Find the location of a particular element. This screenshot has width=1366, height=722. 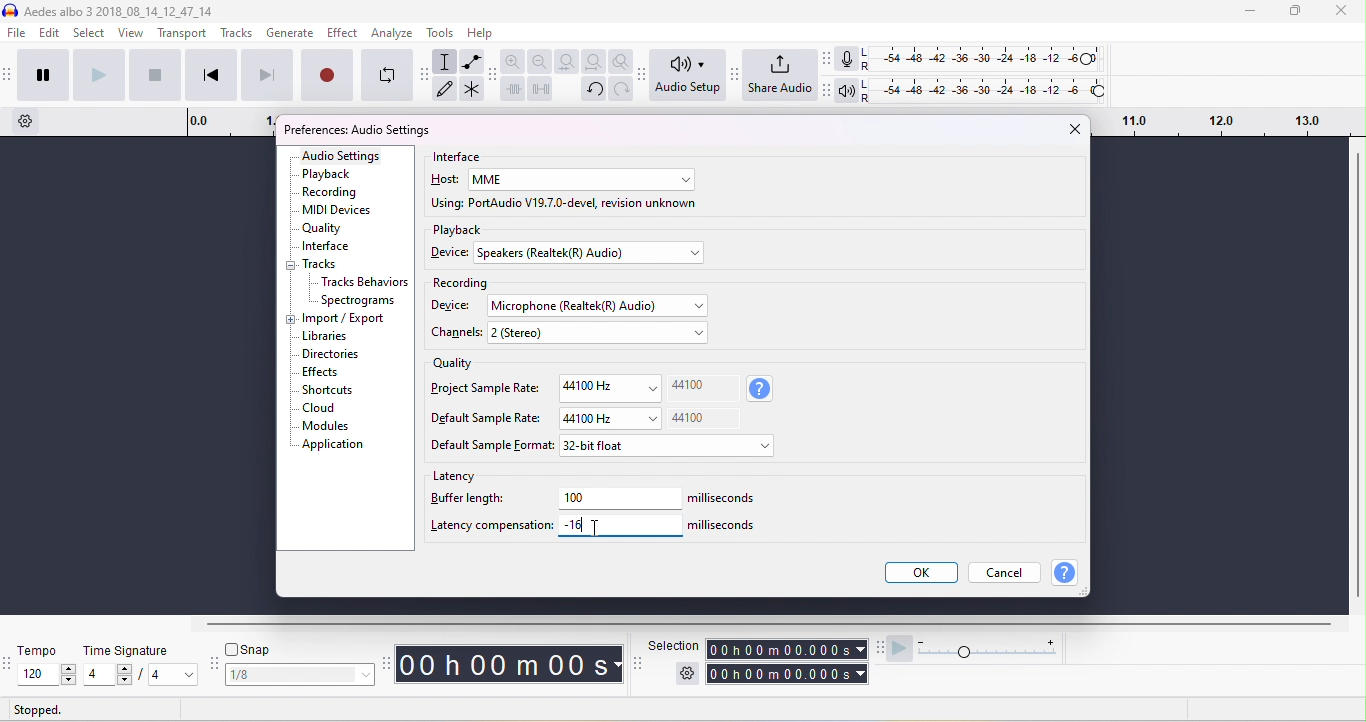

application is located at coordinates (333, 444).